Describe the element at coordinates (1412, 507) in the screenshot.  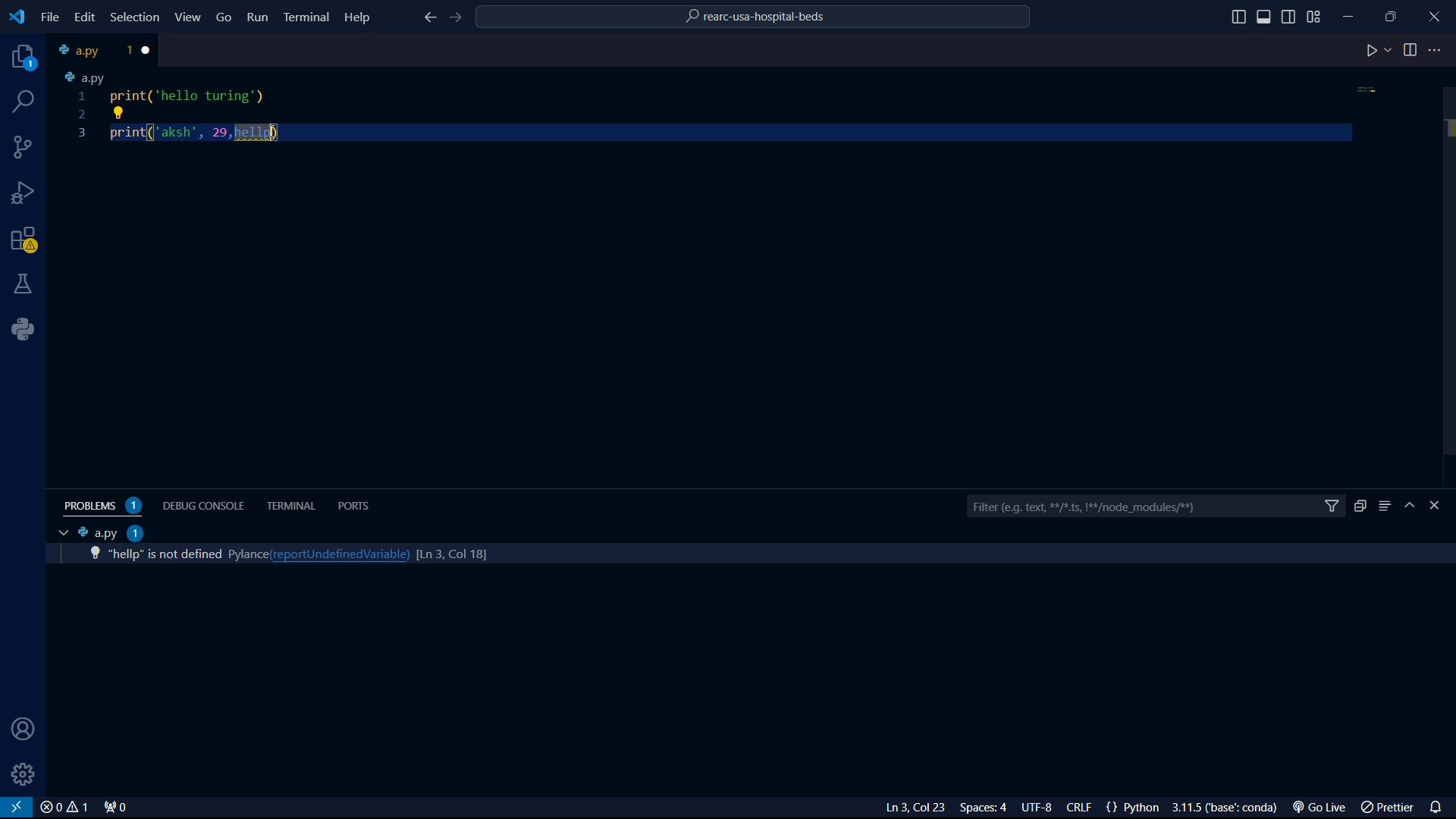
I see `hide` at that location.